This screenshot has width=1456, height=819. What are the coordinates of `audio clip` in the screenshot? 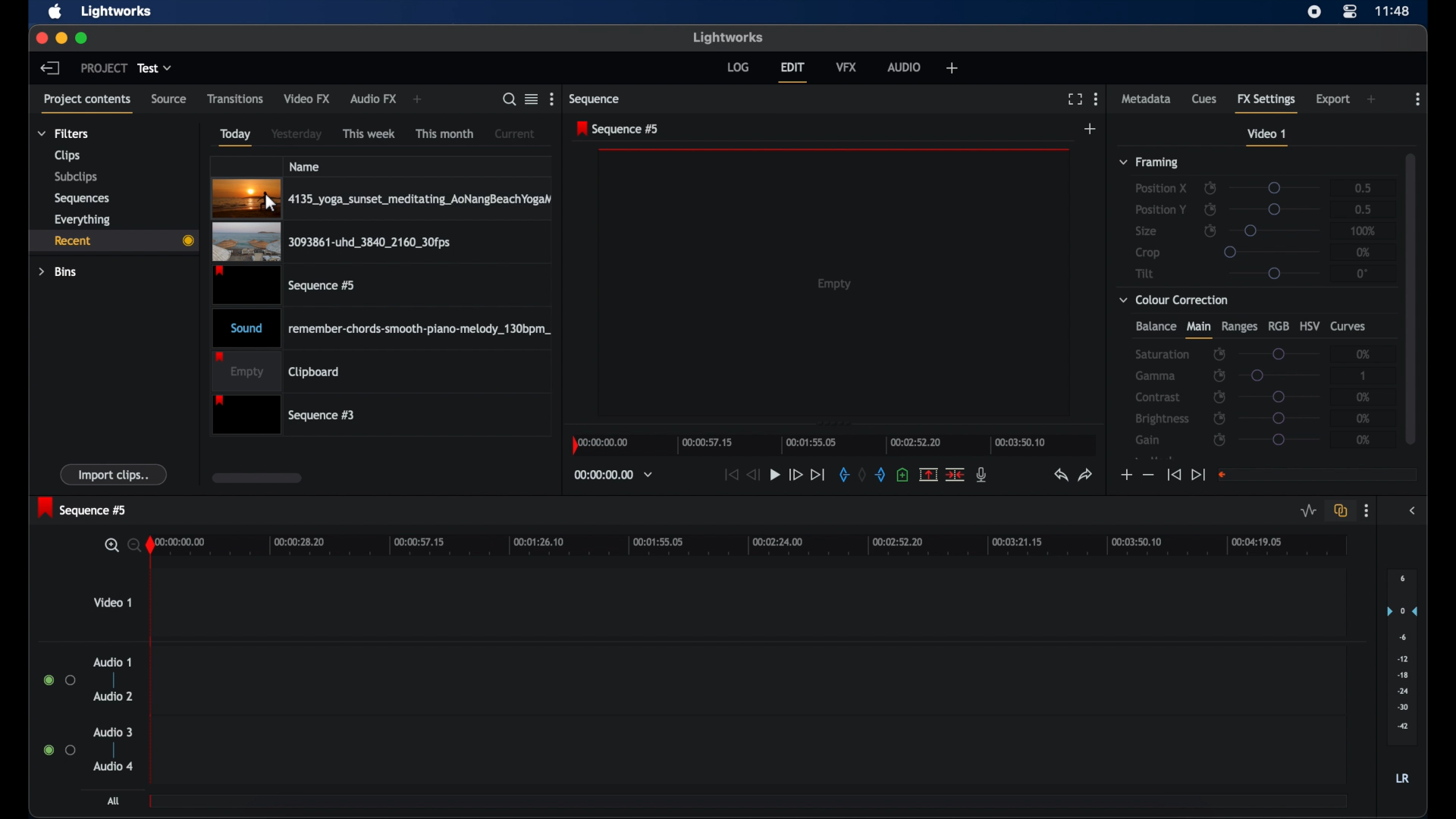 It's located at (382, 327).